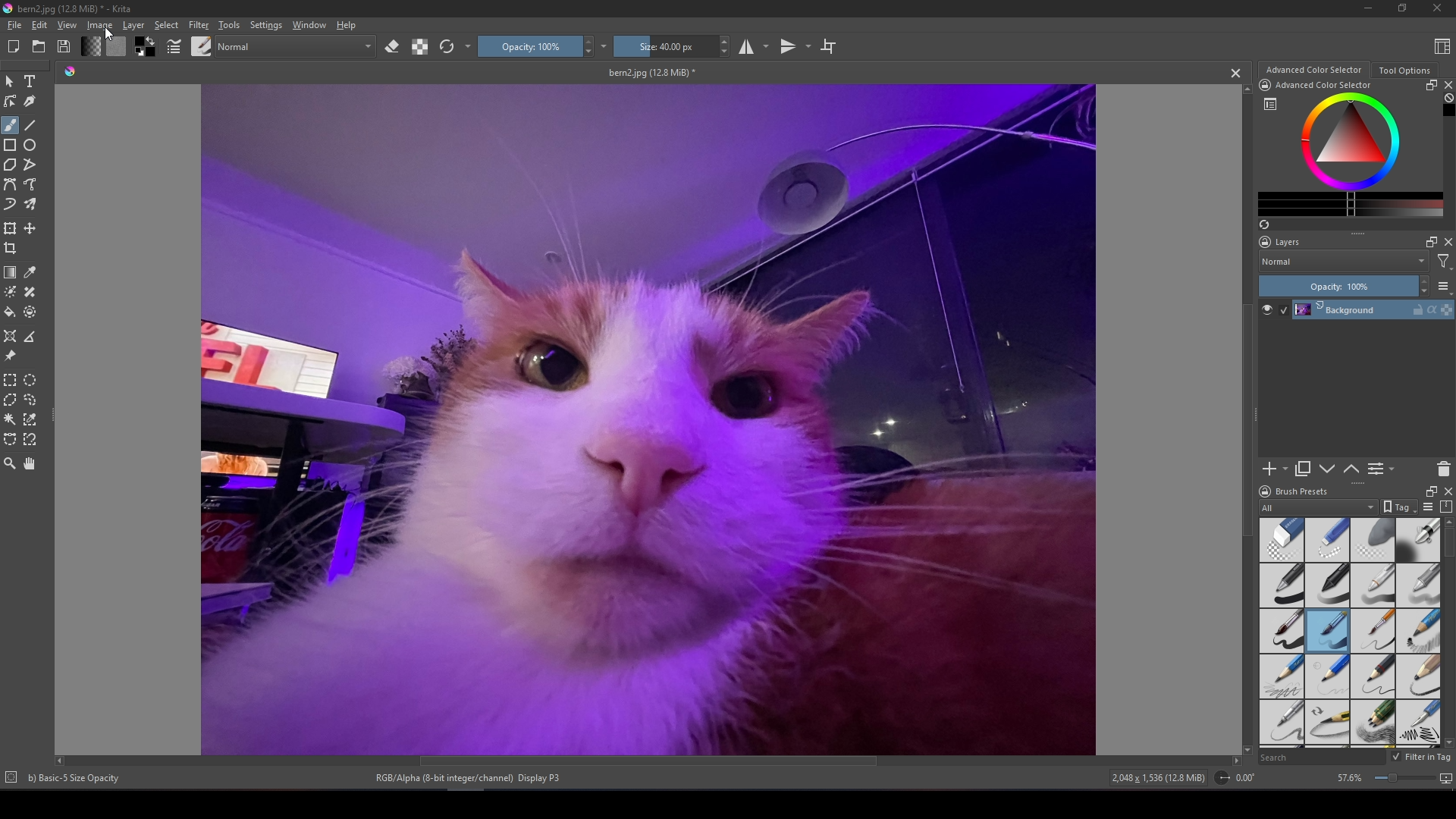 The height and width of the screenshot is (819, 1456). I want to click on Float docker, so click(1433, 86).